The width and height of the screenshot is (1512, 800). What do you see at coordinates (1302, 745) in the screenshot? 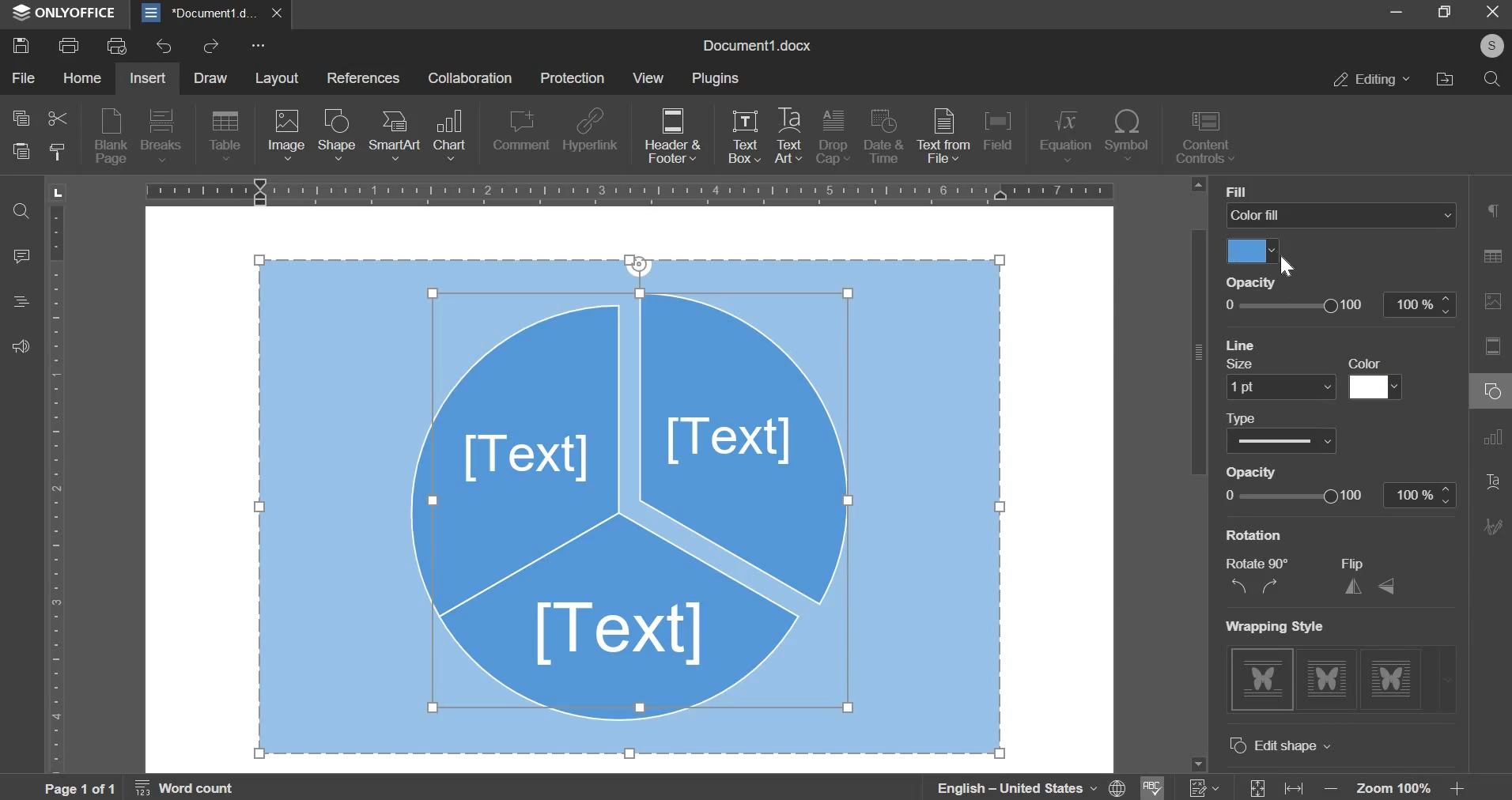
I see `advanced settings` at bounding box center [1302, 745].